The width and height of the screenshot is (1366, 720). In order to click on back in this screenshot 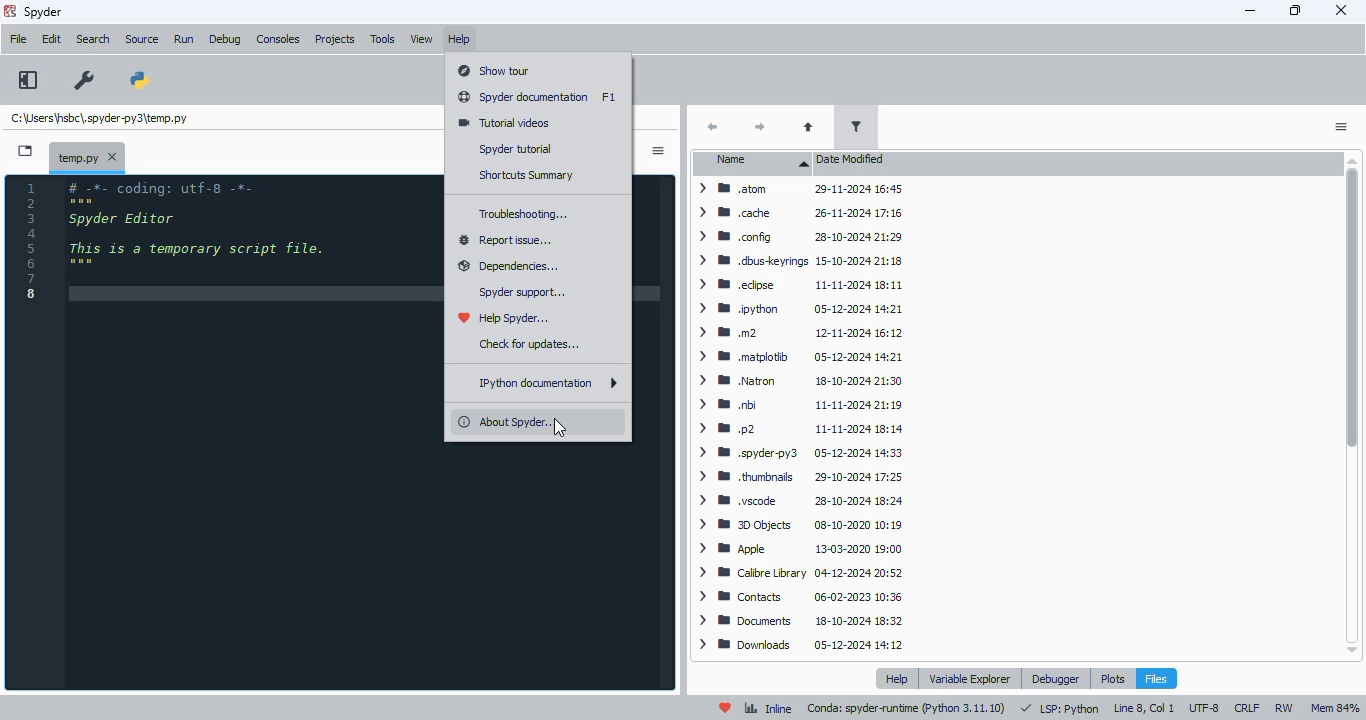, I will do `click(713, 127)`.